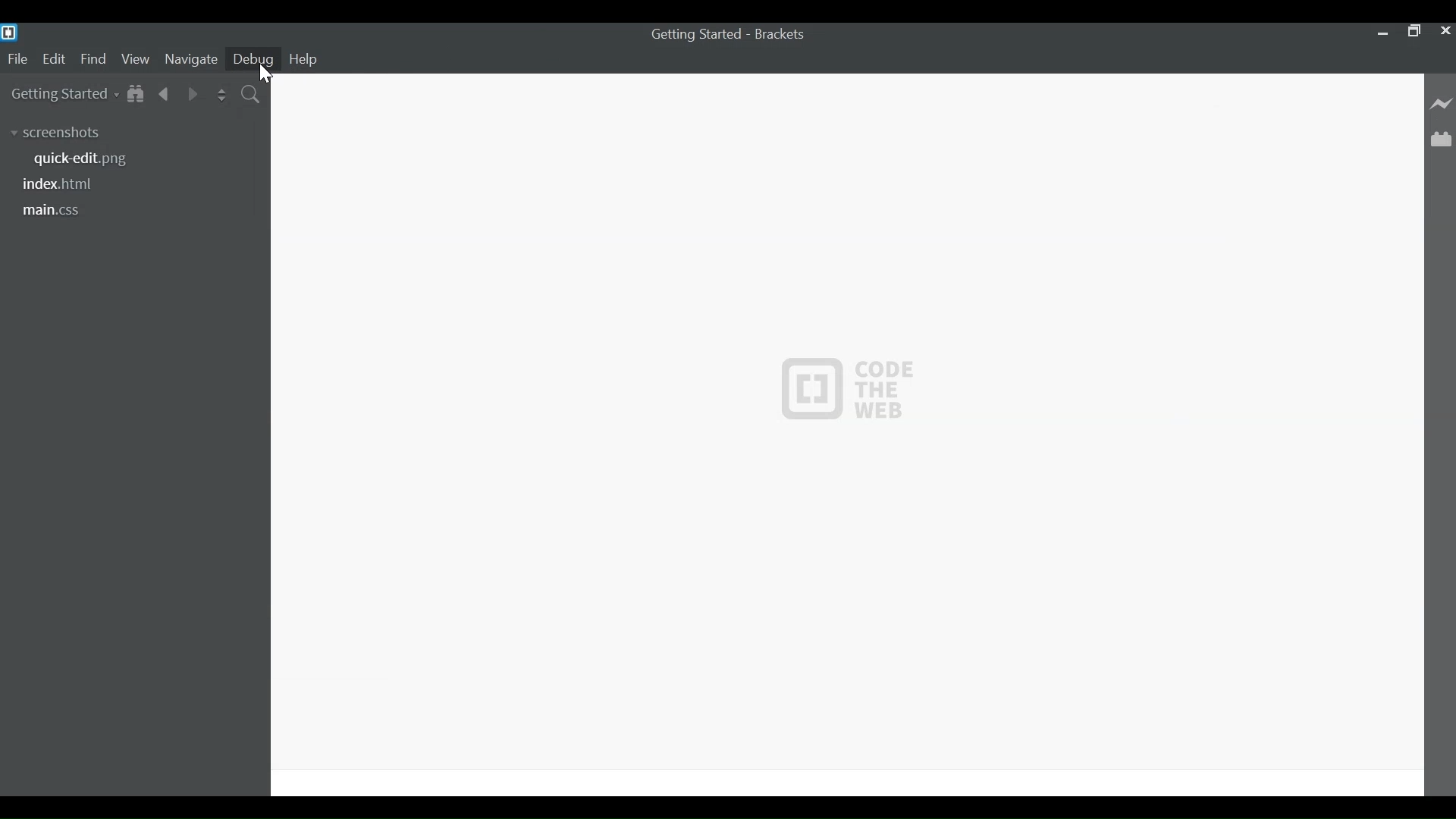 The width and height of the screenshot is (1456, 819). I want to click on Navigate Forward, so click(193, 96).